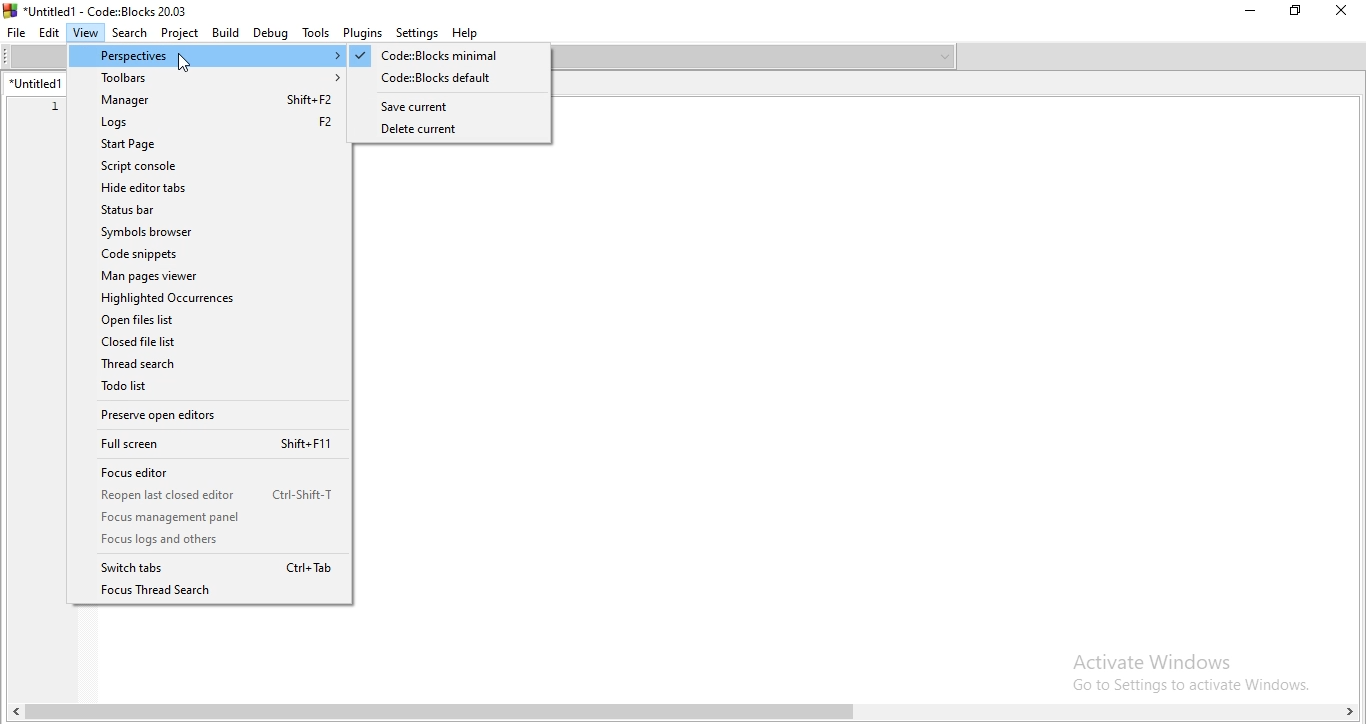 The image size is (1366, 724). I want to click on , so click(1193, 675).